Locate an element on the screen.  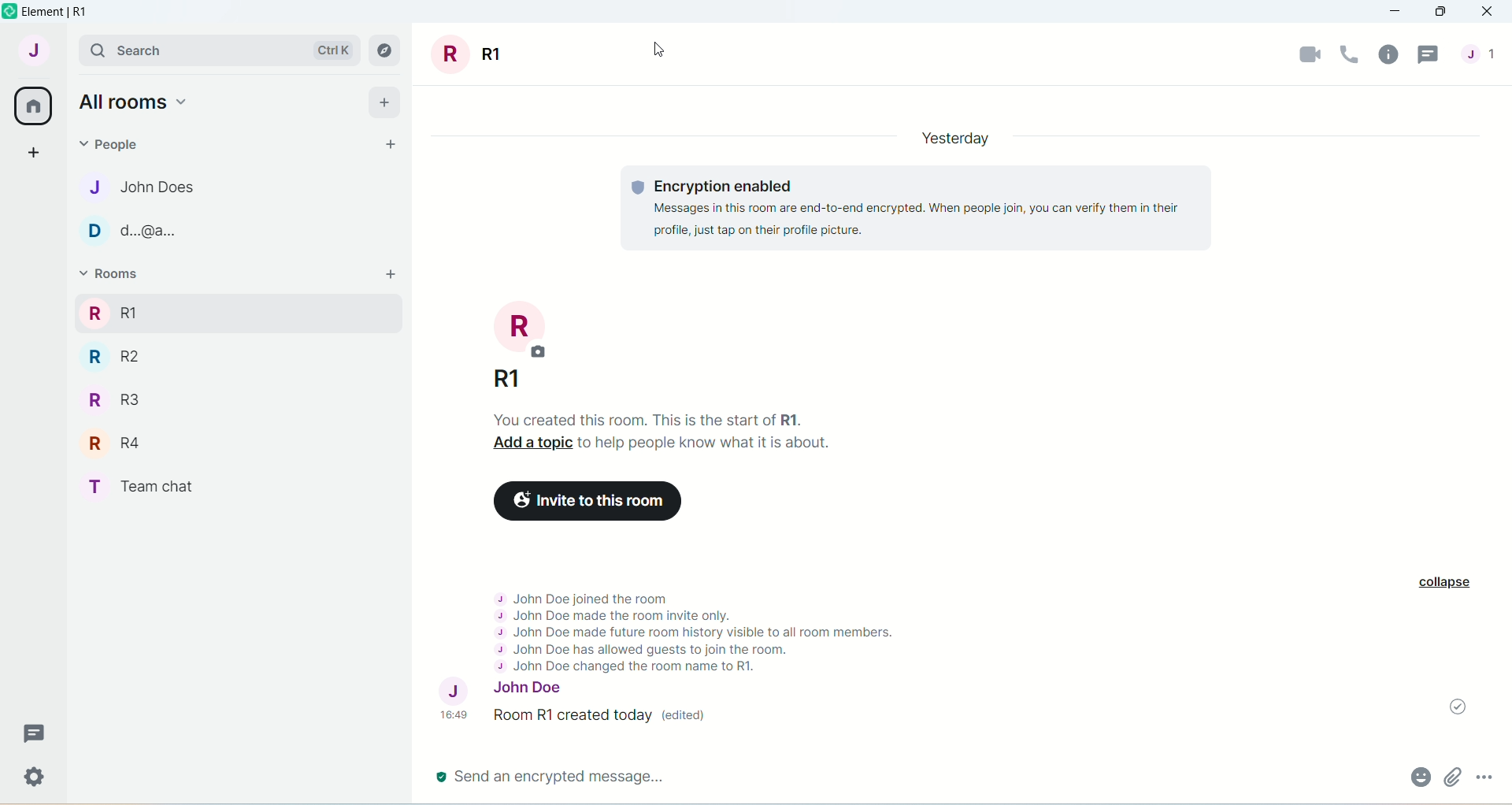
You created this room. This is the start of R1.
Add a topic to help people know what it is about. is located at coordinates (666, 430).